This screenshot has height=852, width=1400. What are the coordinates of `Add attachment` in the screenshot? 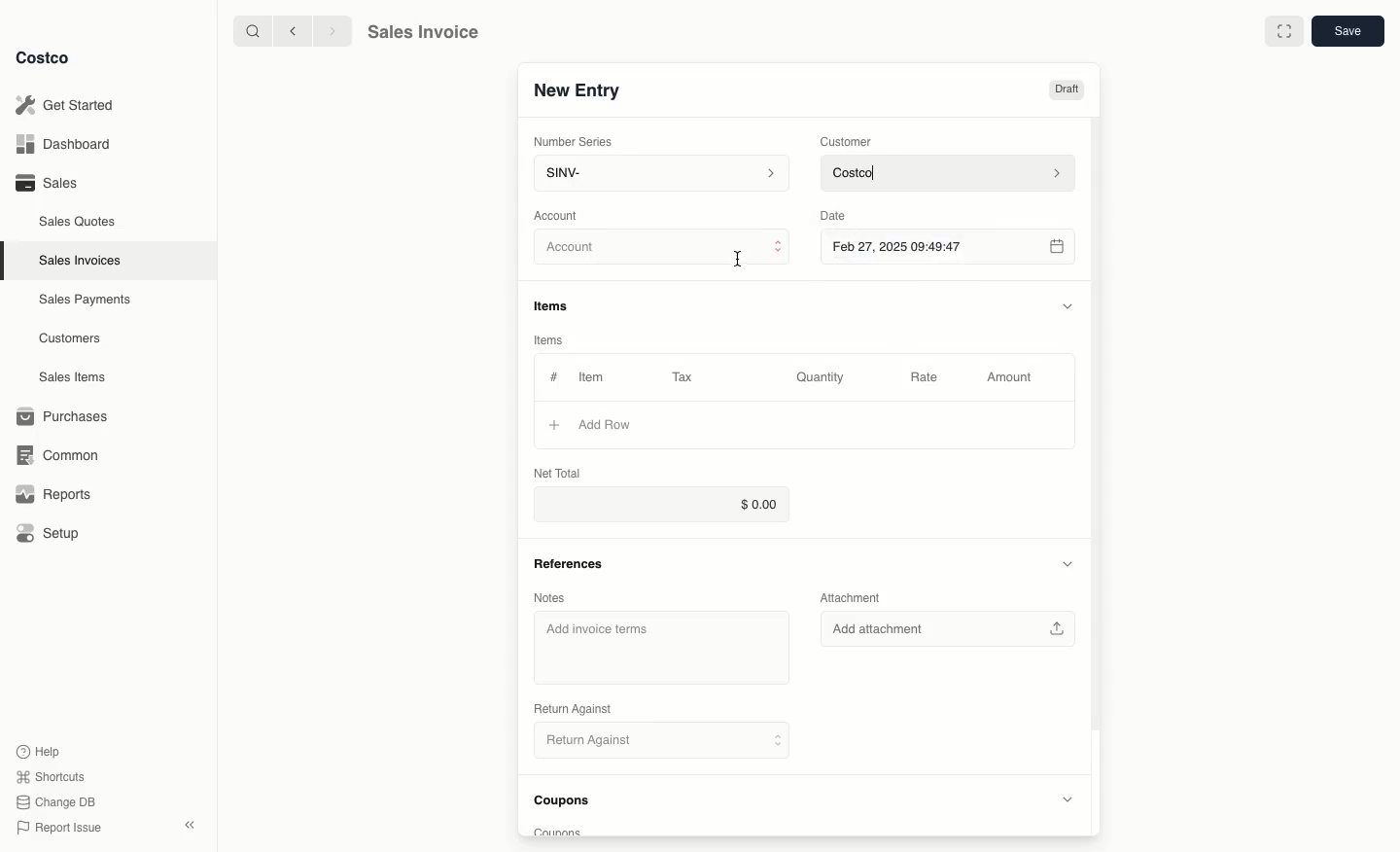 It's located at (953, 629).